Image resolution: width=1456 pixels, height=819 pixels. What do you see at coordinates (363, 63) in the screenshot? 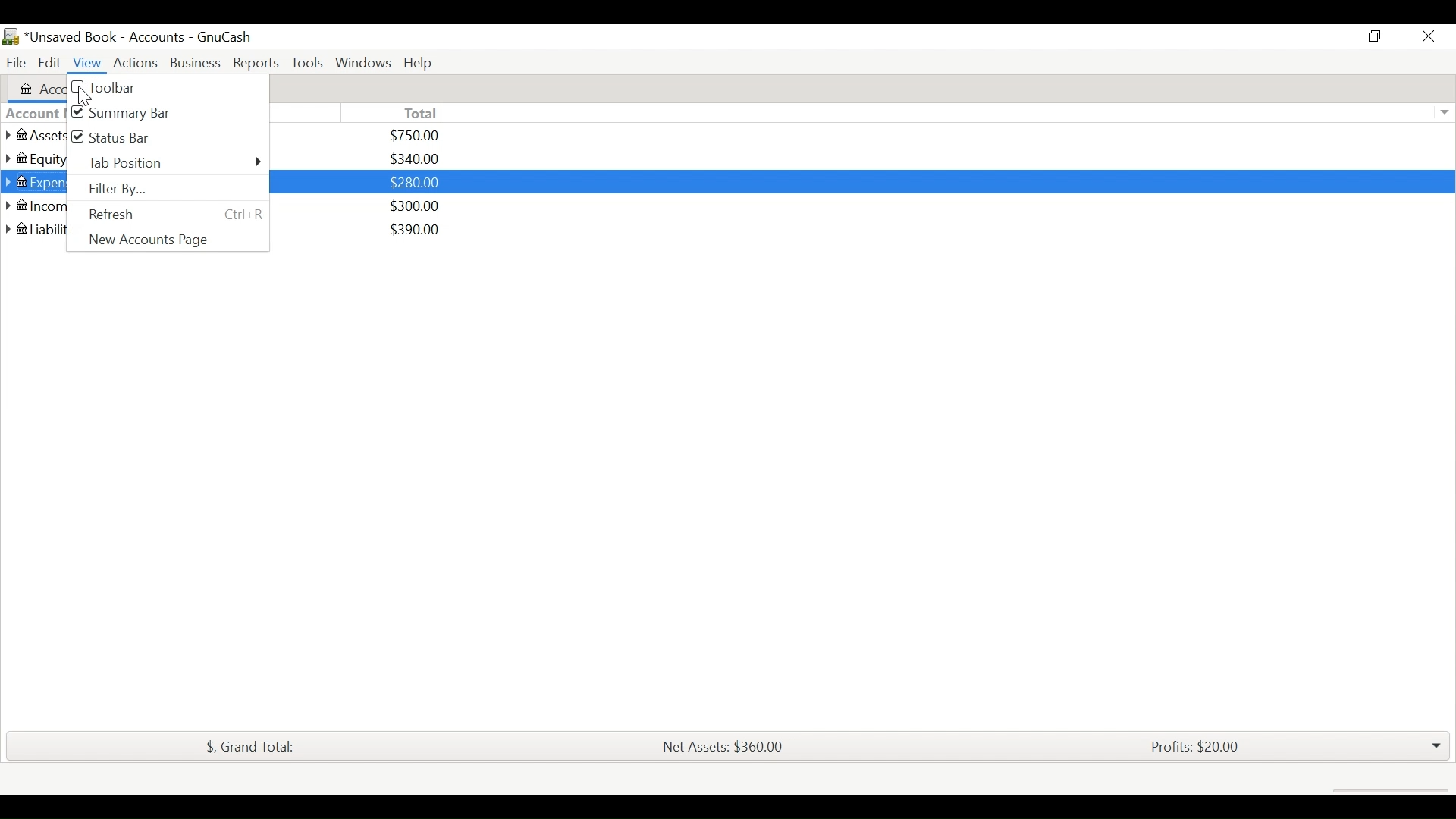
I see `Windows` at bounding box center [363, 63].